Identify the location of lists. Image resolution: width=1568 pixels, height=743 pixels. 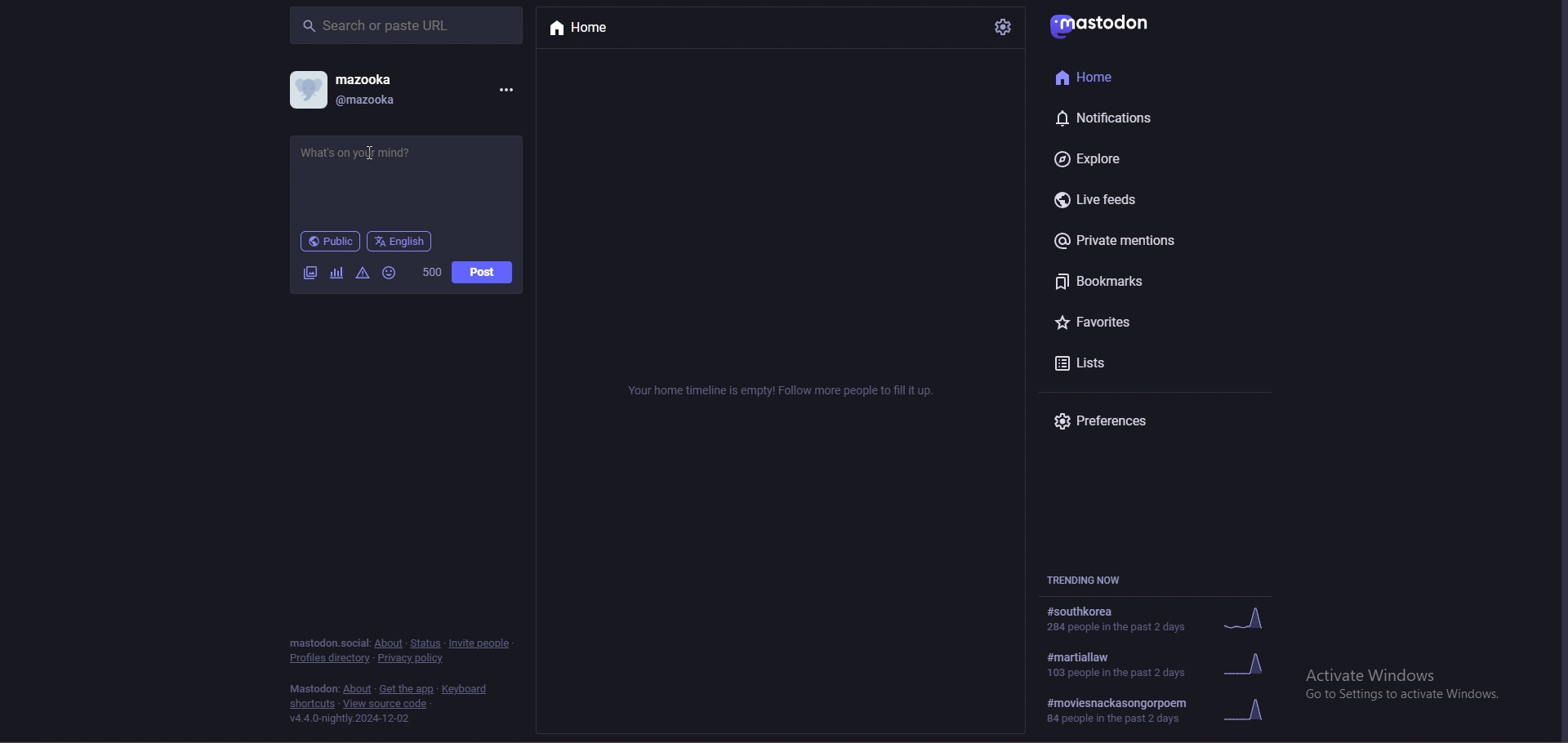
(1145, 364).